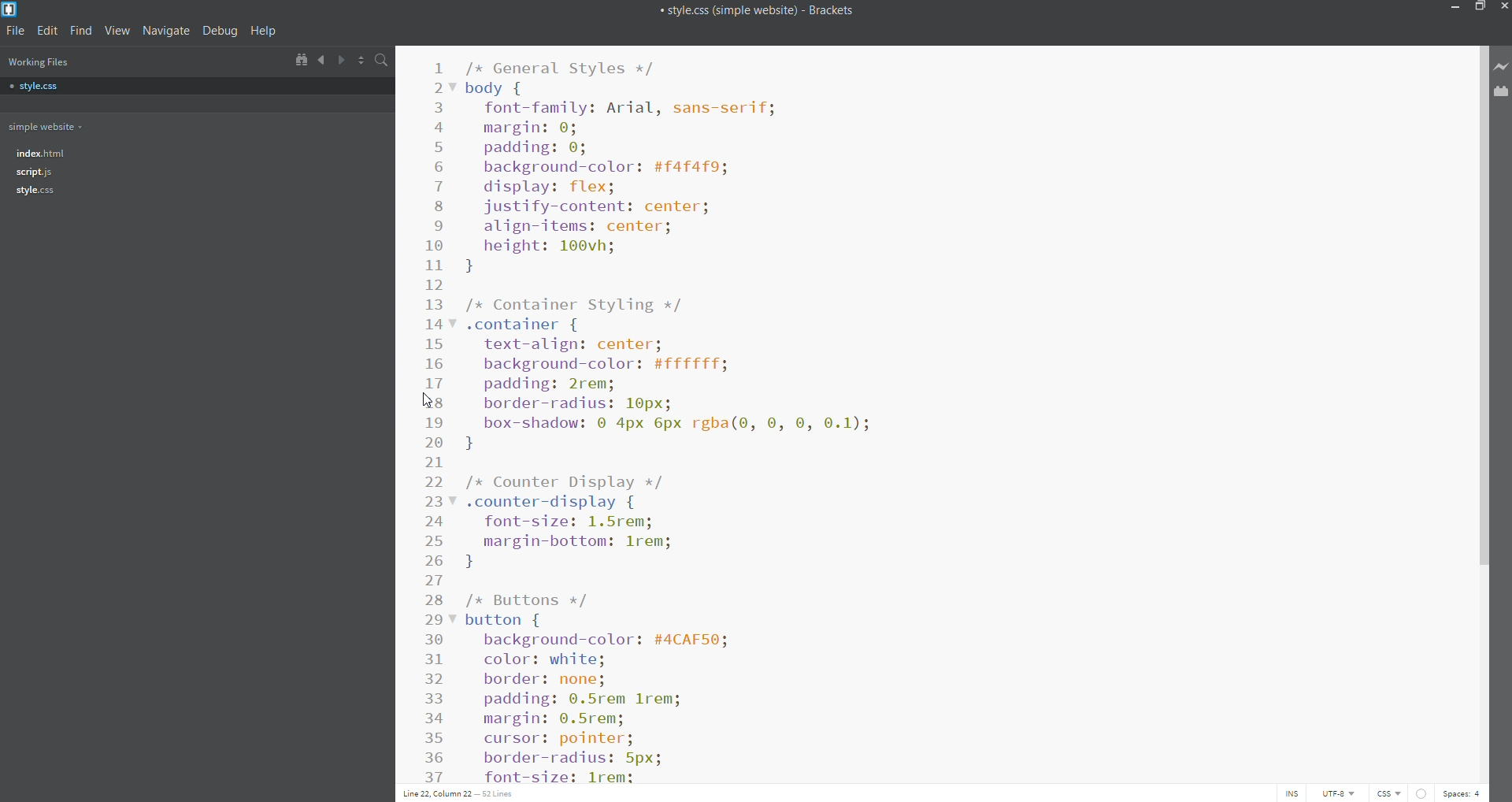 This screenshot has width=1512, height=802. Describe the element at coordinates (117, 87) in the screenshot. I see `style.css` at that location.